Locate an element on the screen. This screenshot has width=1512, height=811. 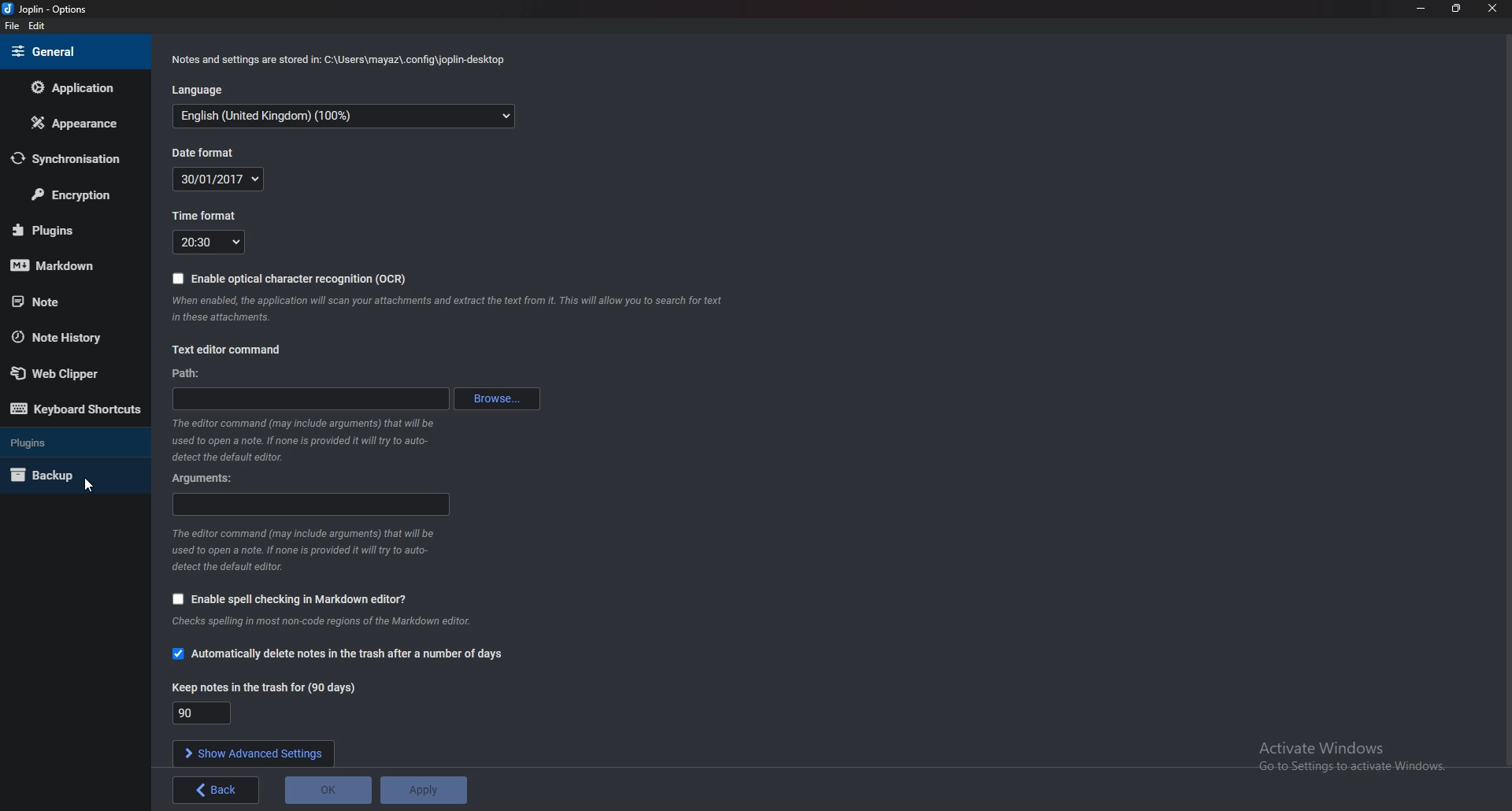
Info is located at coordinates (339, 622).